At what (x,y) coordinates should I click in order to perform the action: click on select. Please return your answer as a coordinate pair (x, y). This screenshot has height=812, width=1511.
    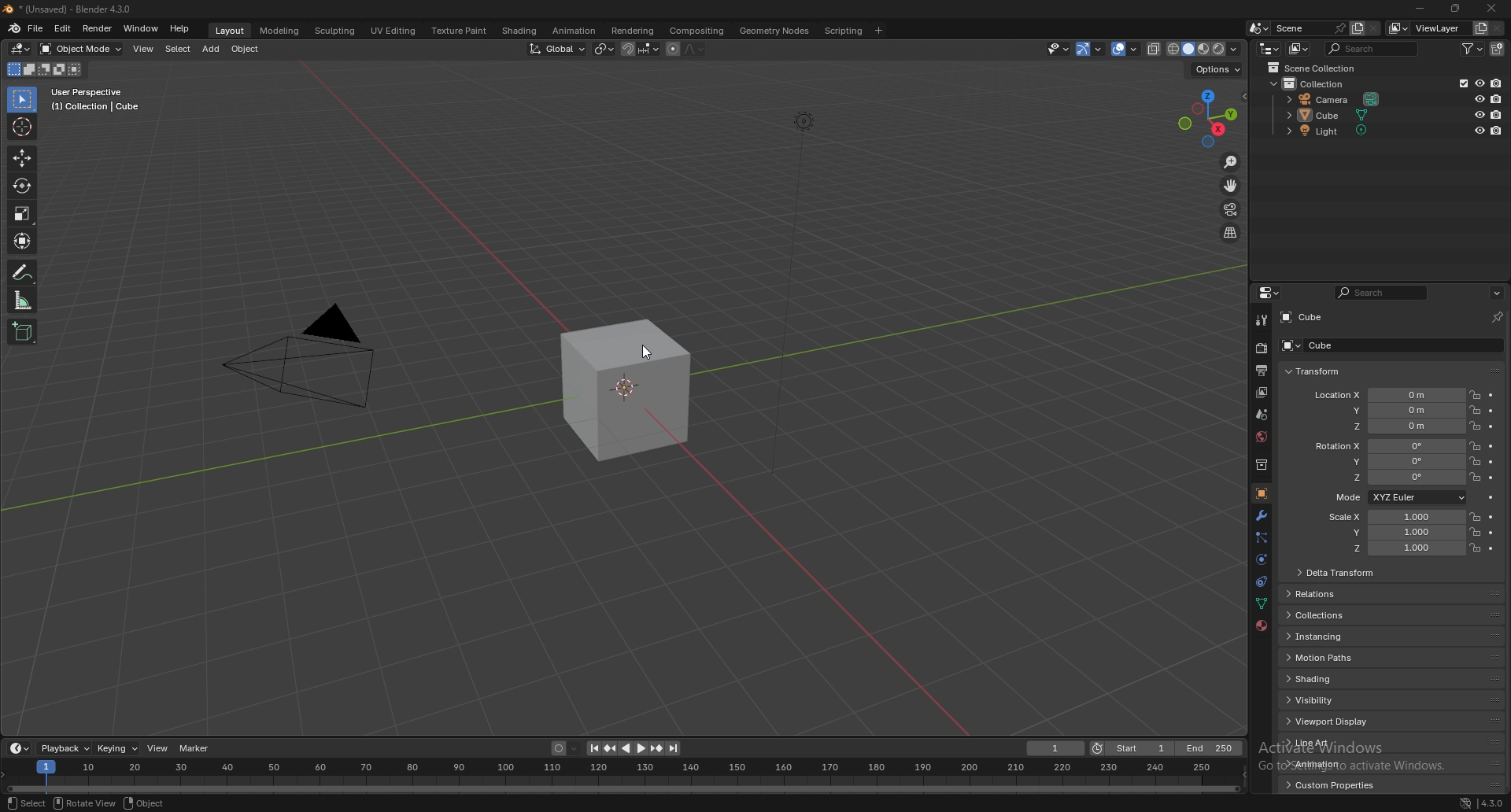
    Looking at the image, I should click on (27, 803).